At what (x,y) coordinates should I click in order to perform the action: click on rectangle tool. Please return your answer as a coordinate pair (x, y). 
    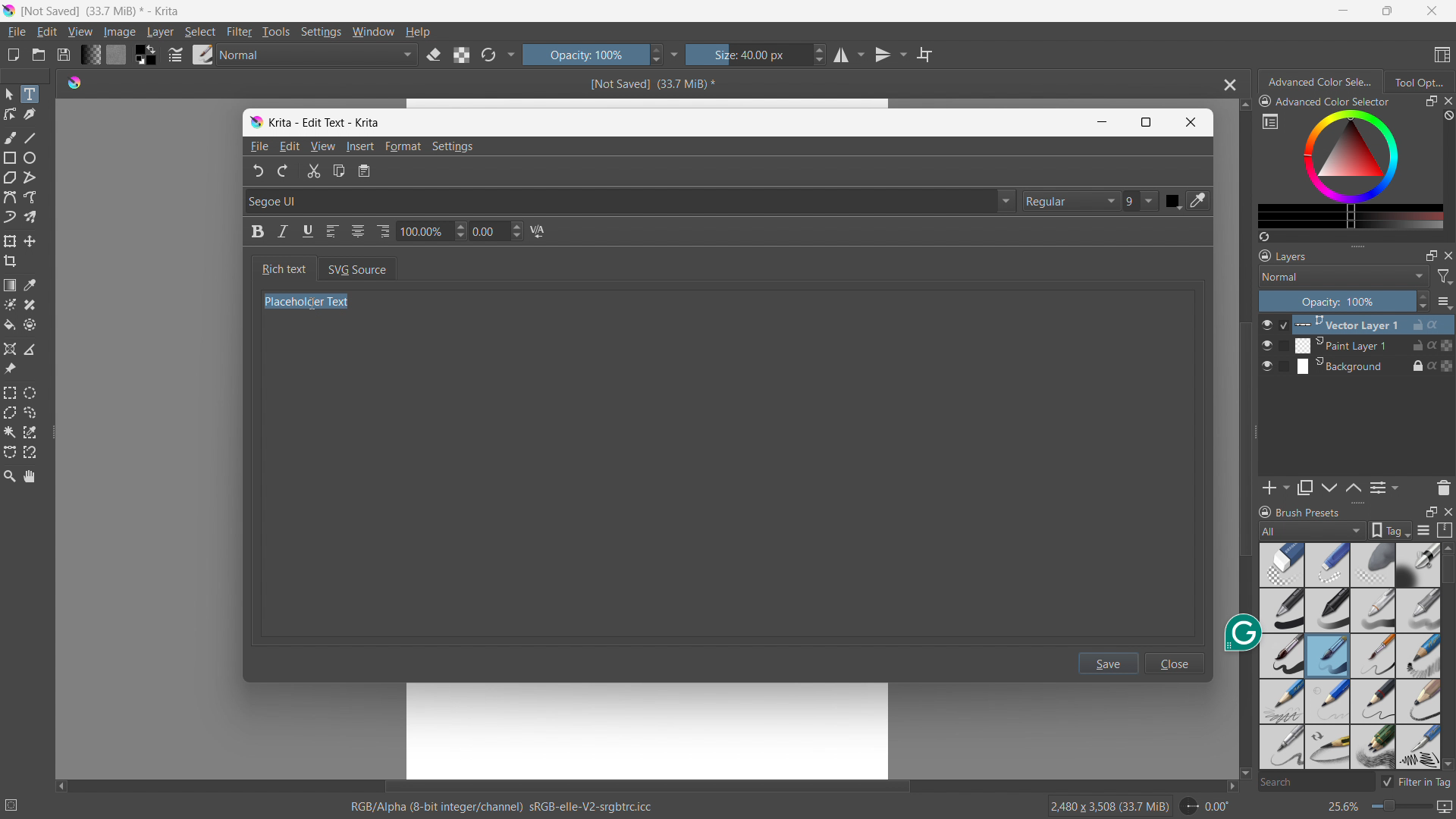
    Looking at the image, I should click on (11, 158).